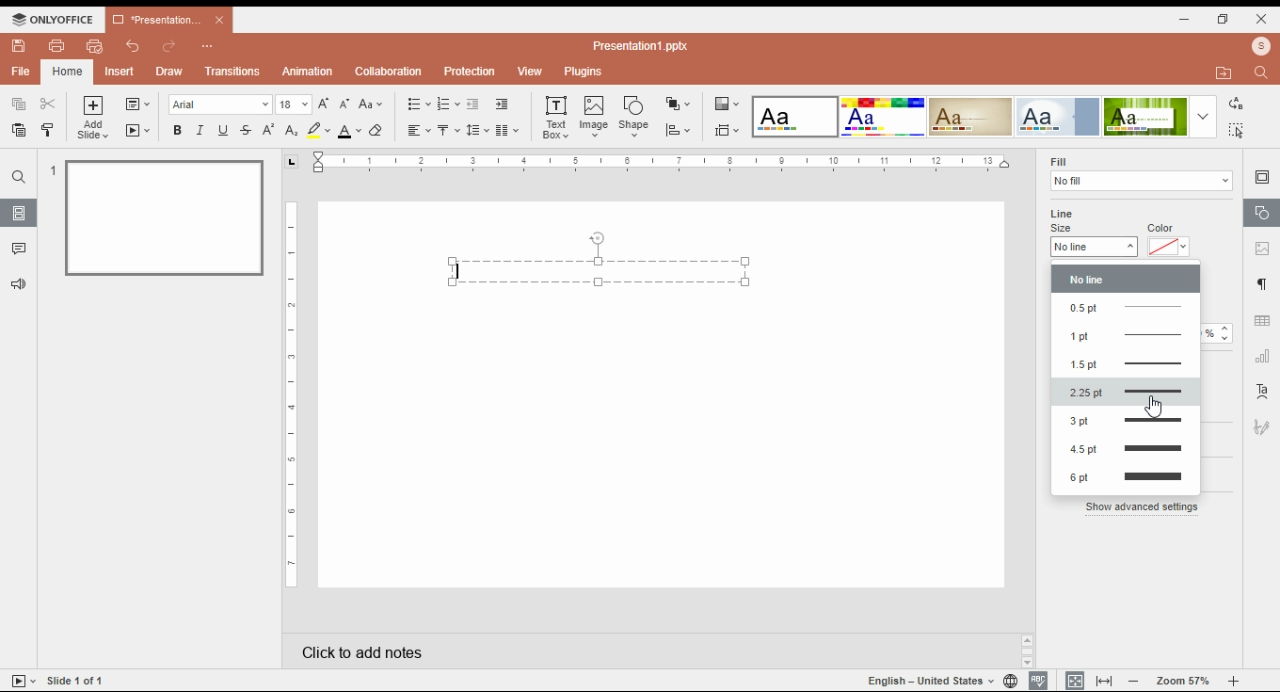 The width and height of the screenshot is (1280, 692). Describe the element at coordinates (93, 118) in the screenshot. I see `add slide` at that location.